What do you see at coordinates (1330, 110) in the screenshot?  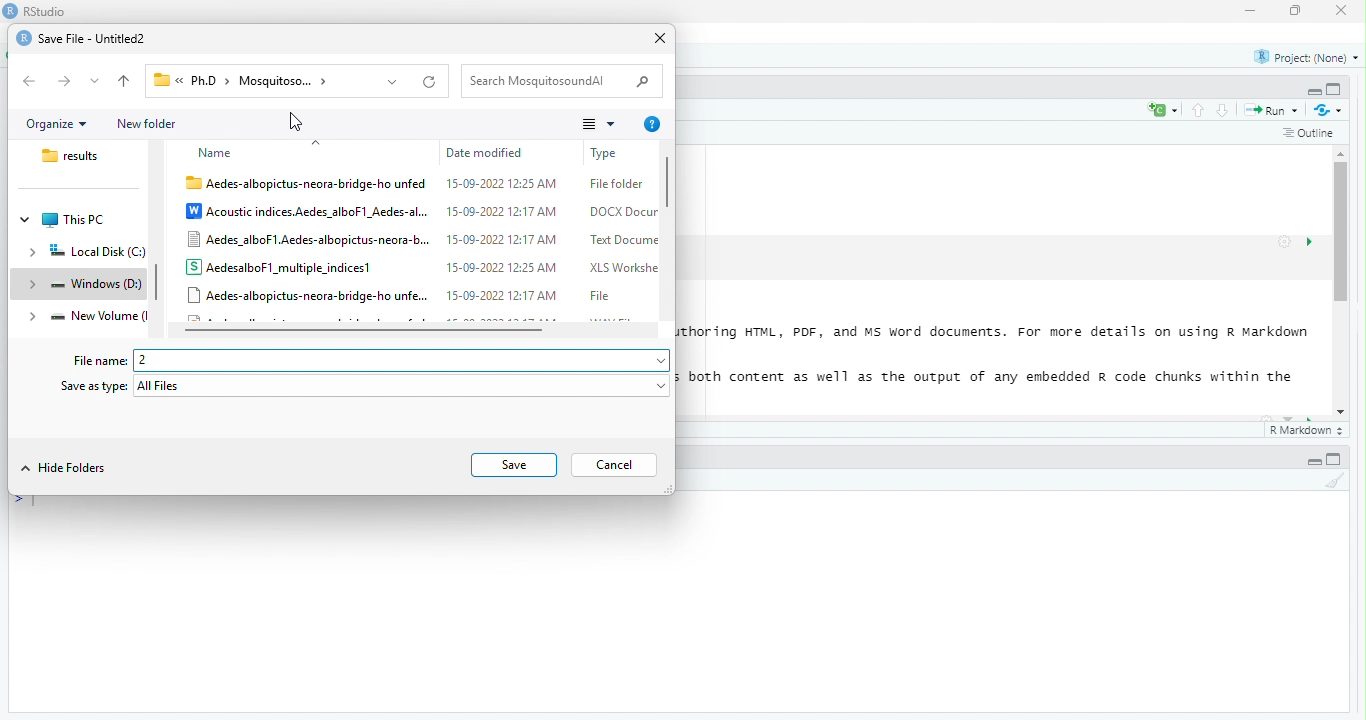 I see `Syncing ` at bounding box center [1330, 110].